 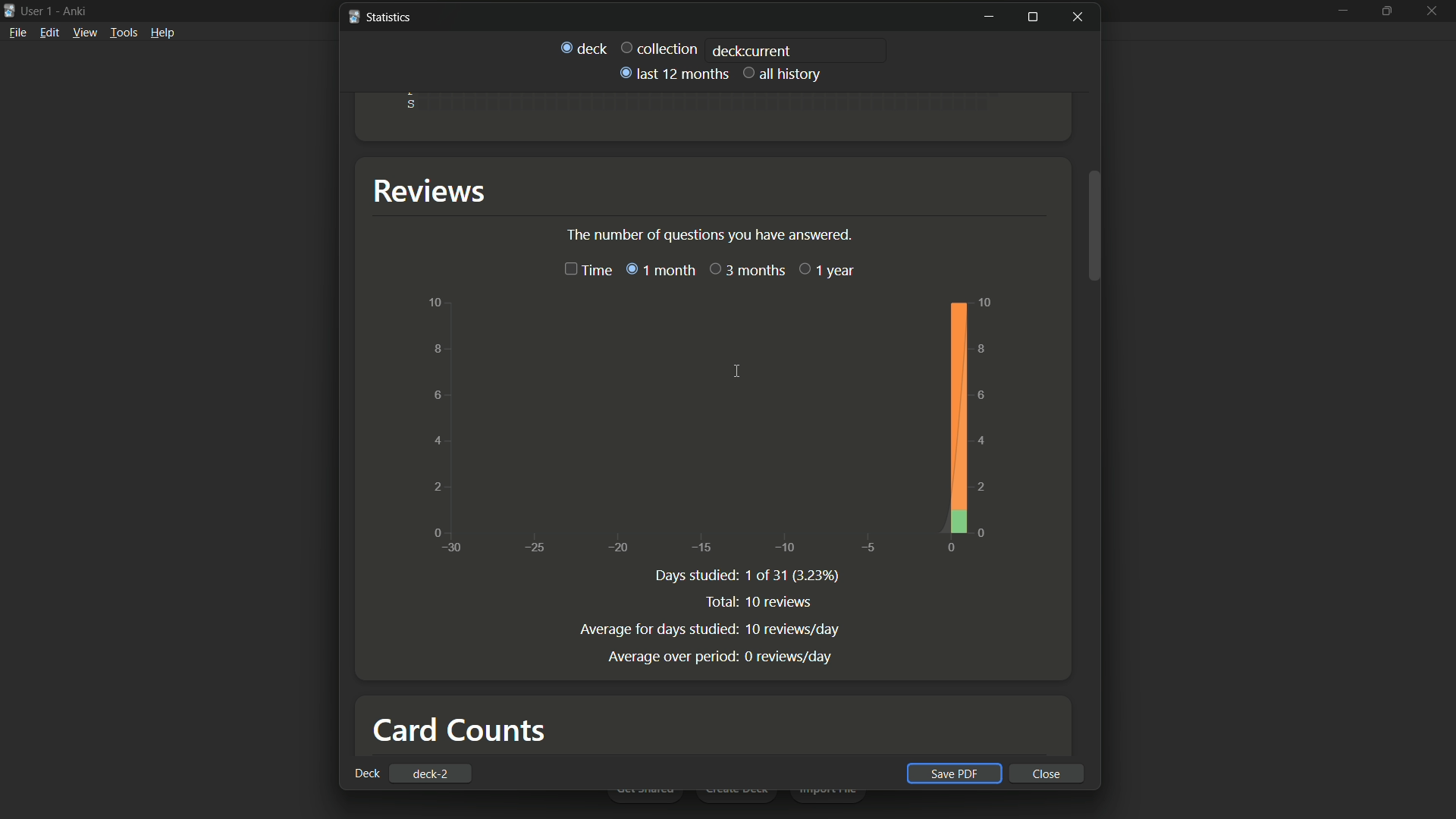 I want to click on minimize, so click(x=988, y=17).